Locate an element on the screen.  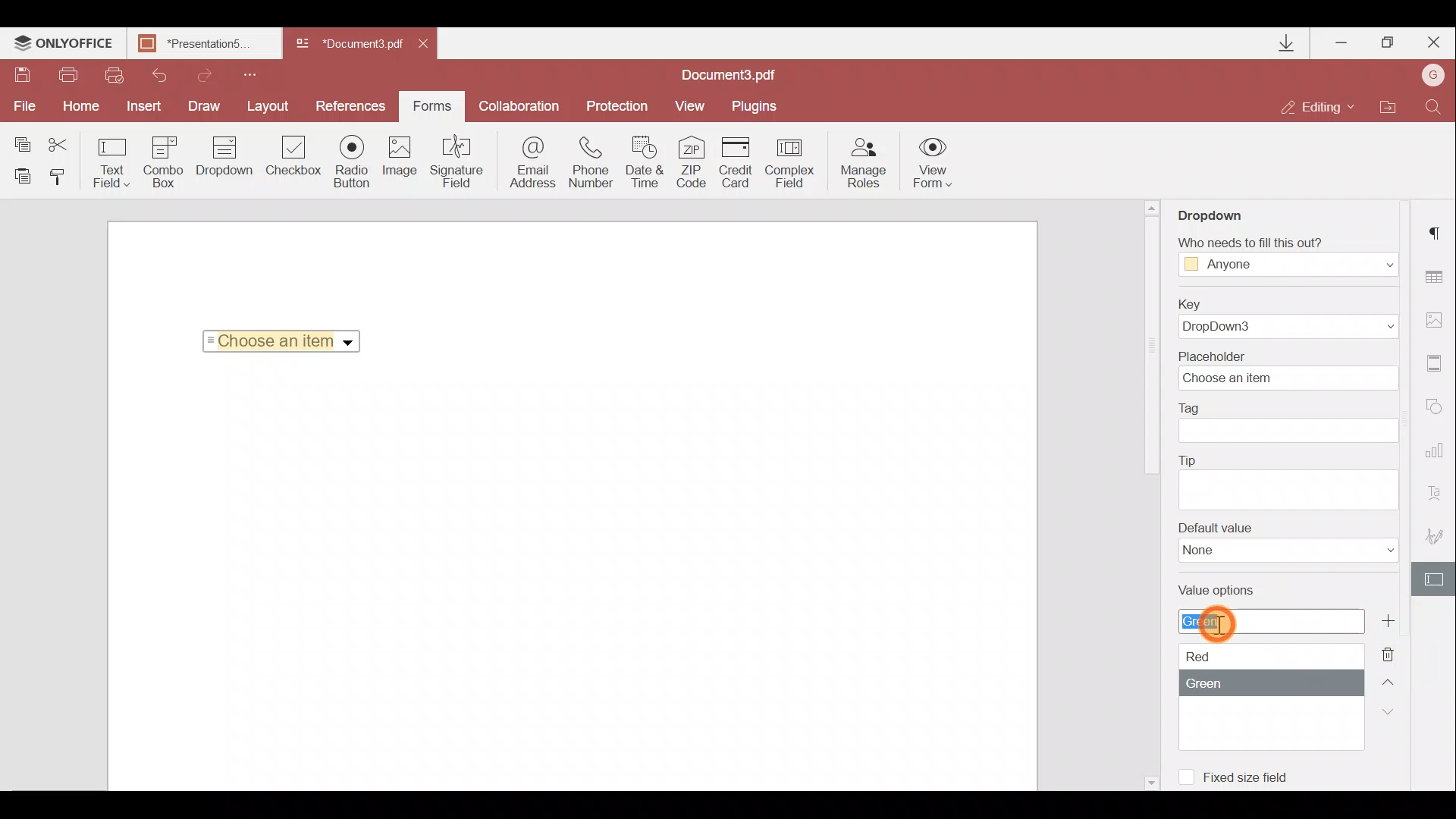
Maximize is located at coordinates (1387, 45).